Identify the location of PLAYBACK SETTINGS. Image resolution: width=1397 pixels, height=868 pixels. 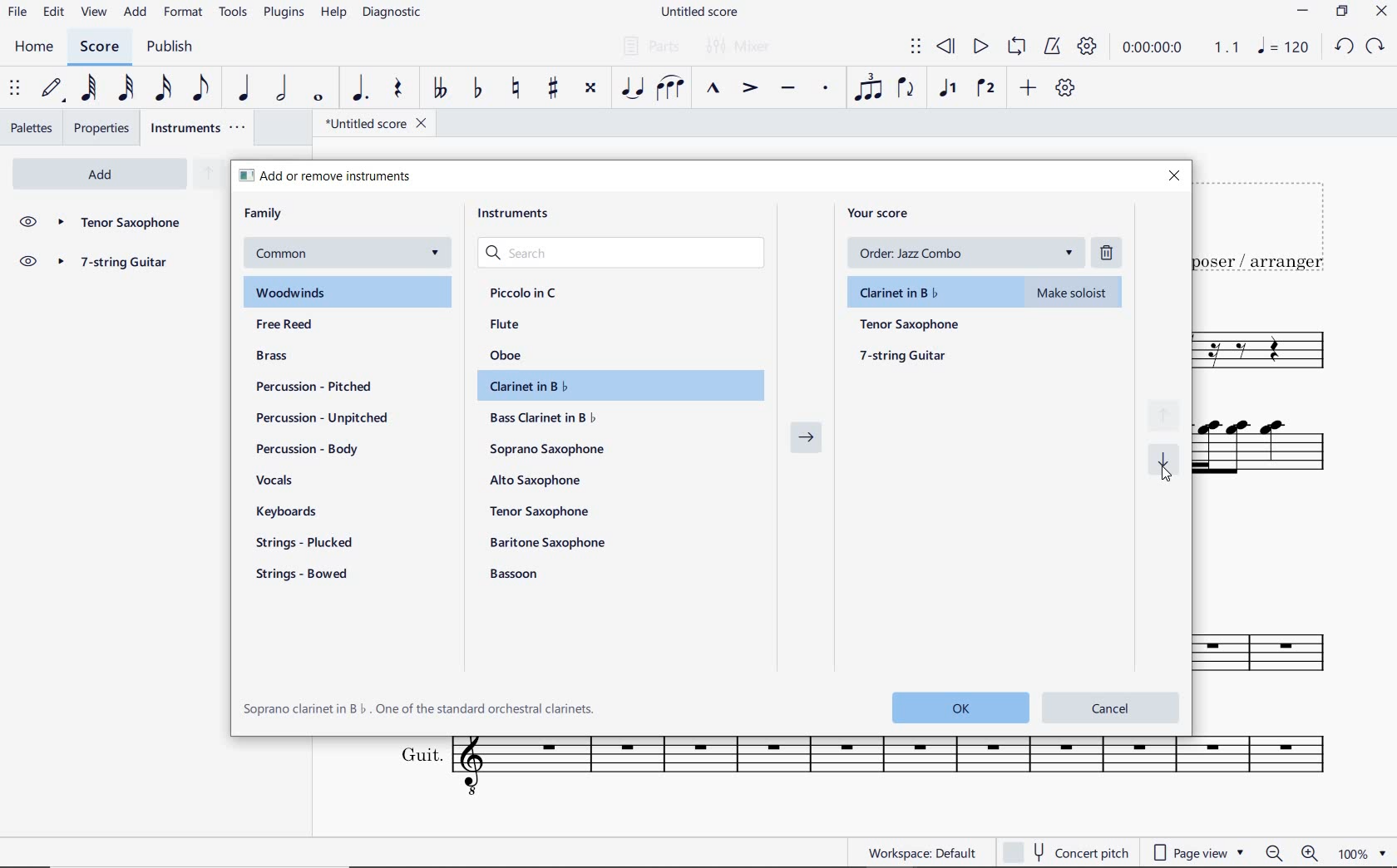
(1085, 47).